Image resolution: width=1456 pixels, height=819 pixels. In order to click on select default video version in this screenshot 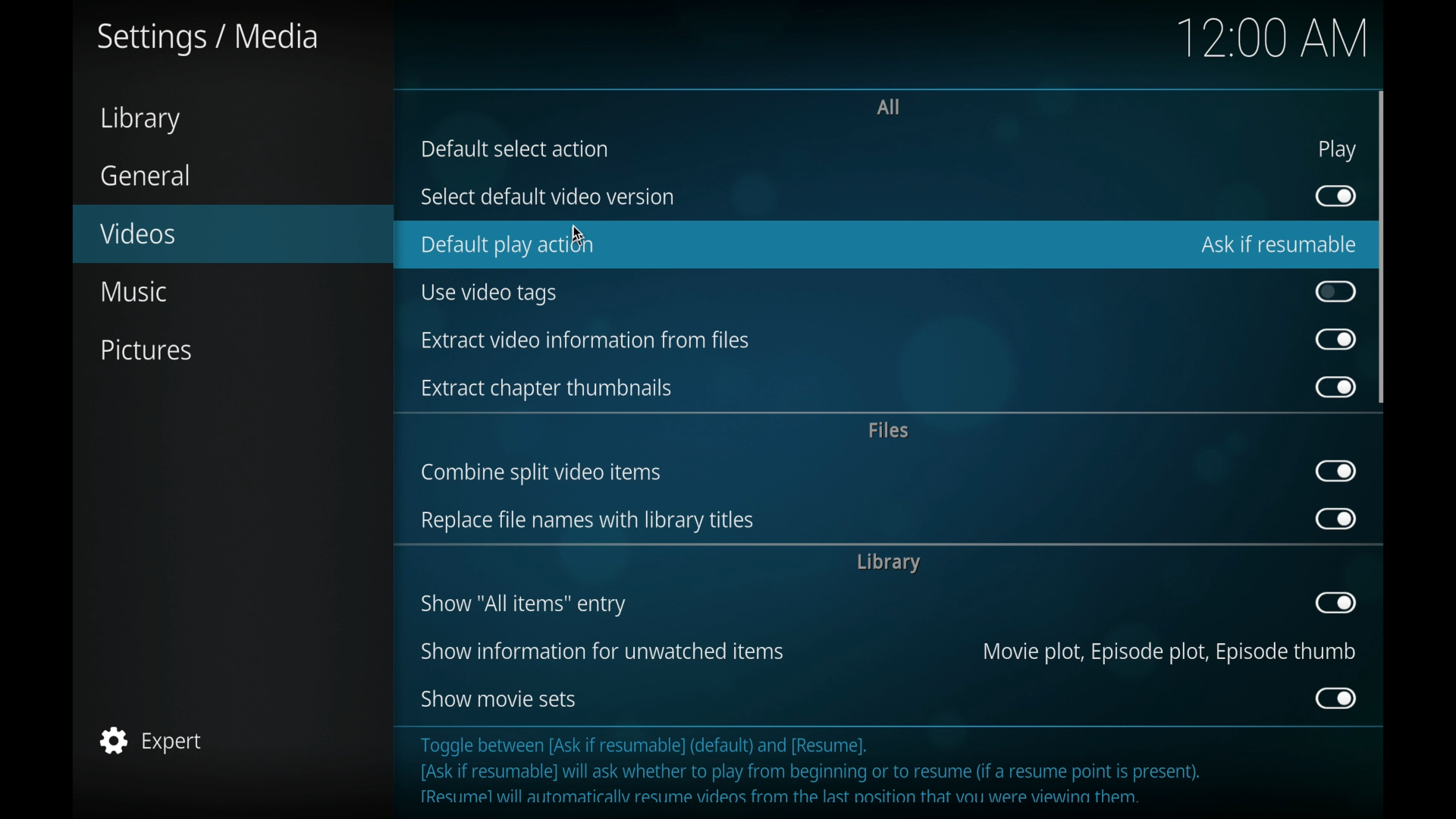, I will do `click(548, 196)`.